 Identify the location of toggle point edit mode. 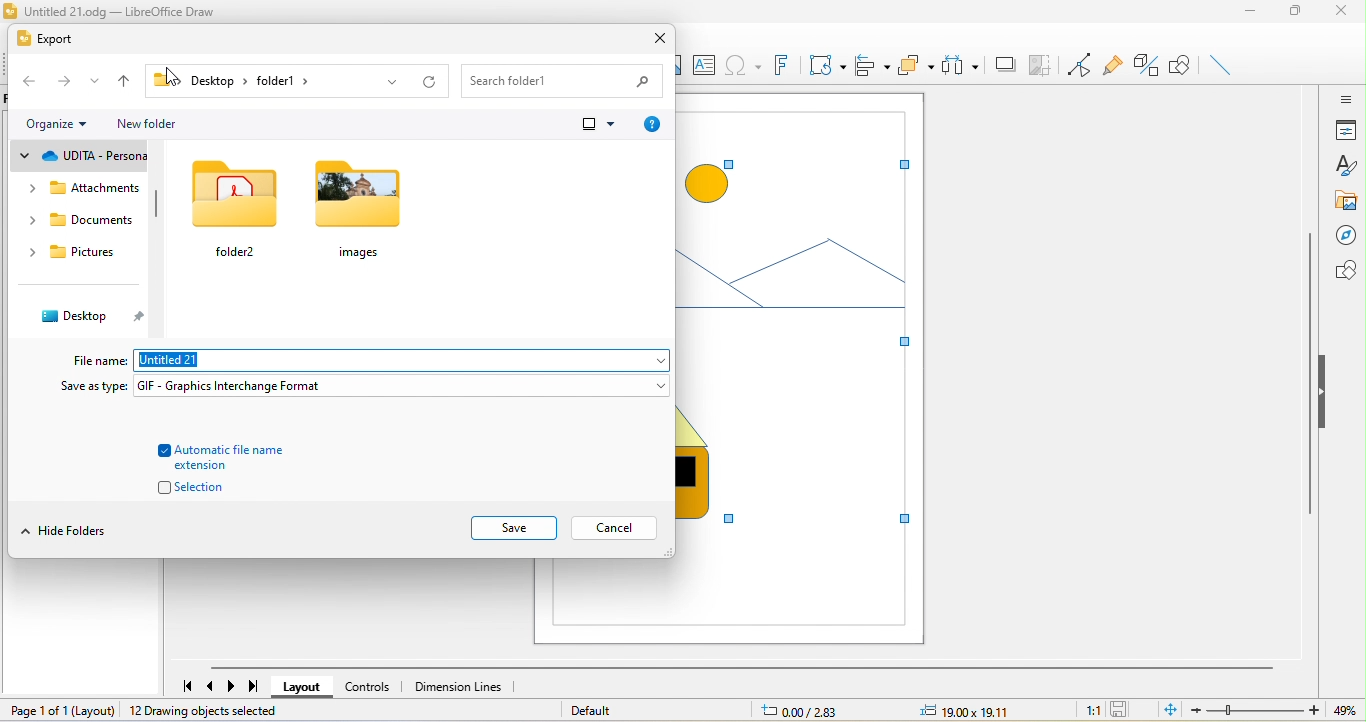
(1082, 65).